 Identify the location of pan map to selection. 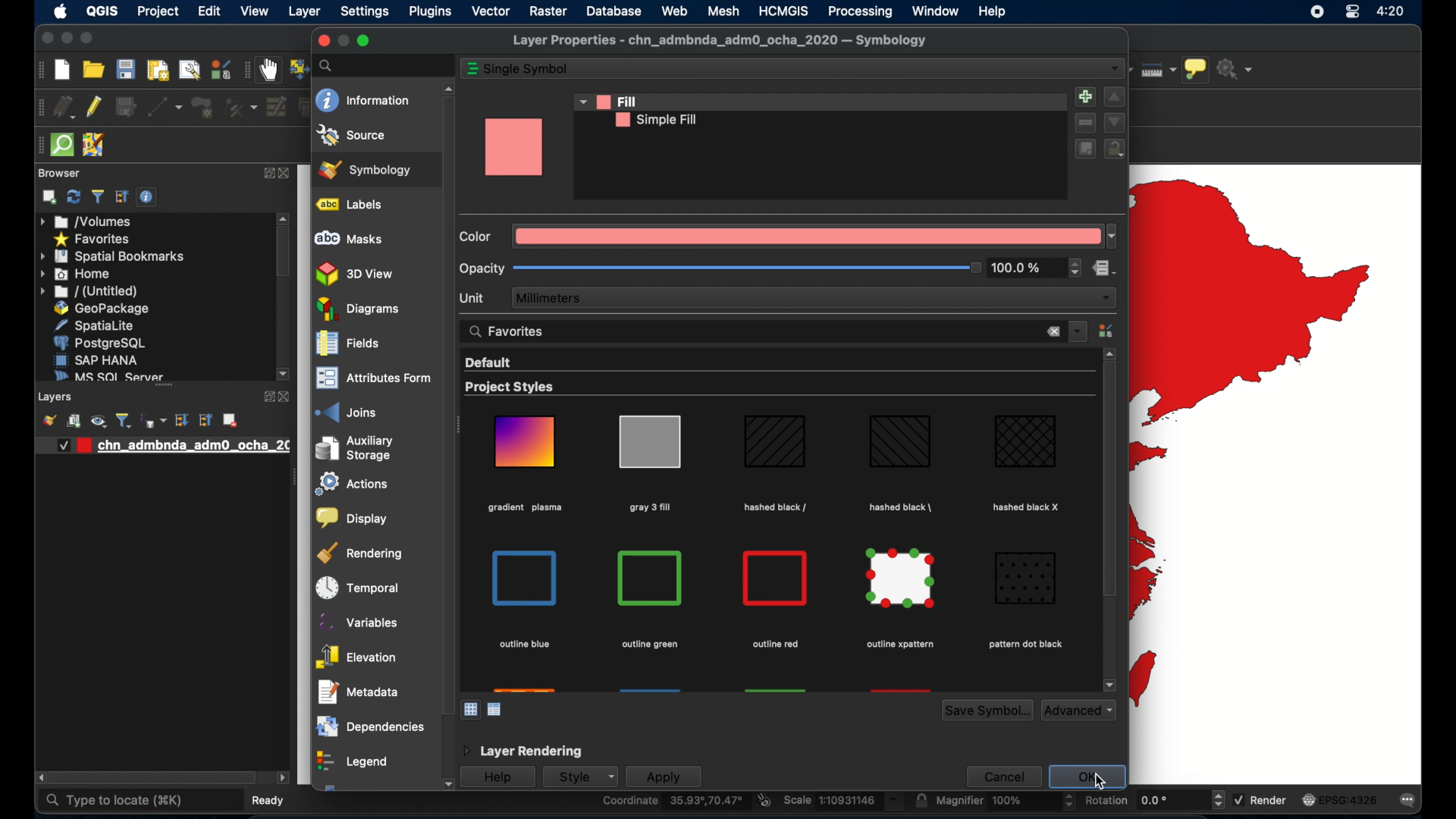
(297, 67).